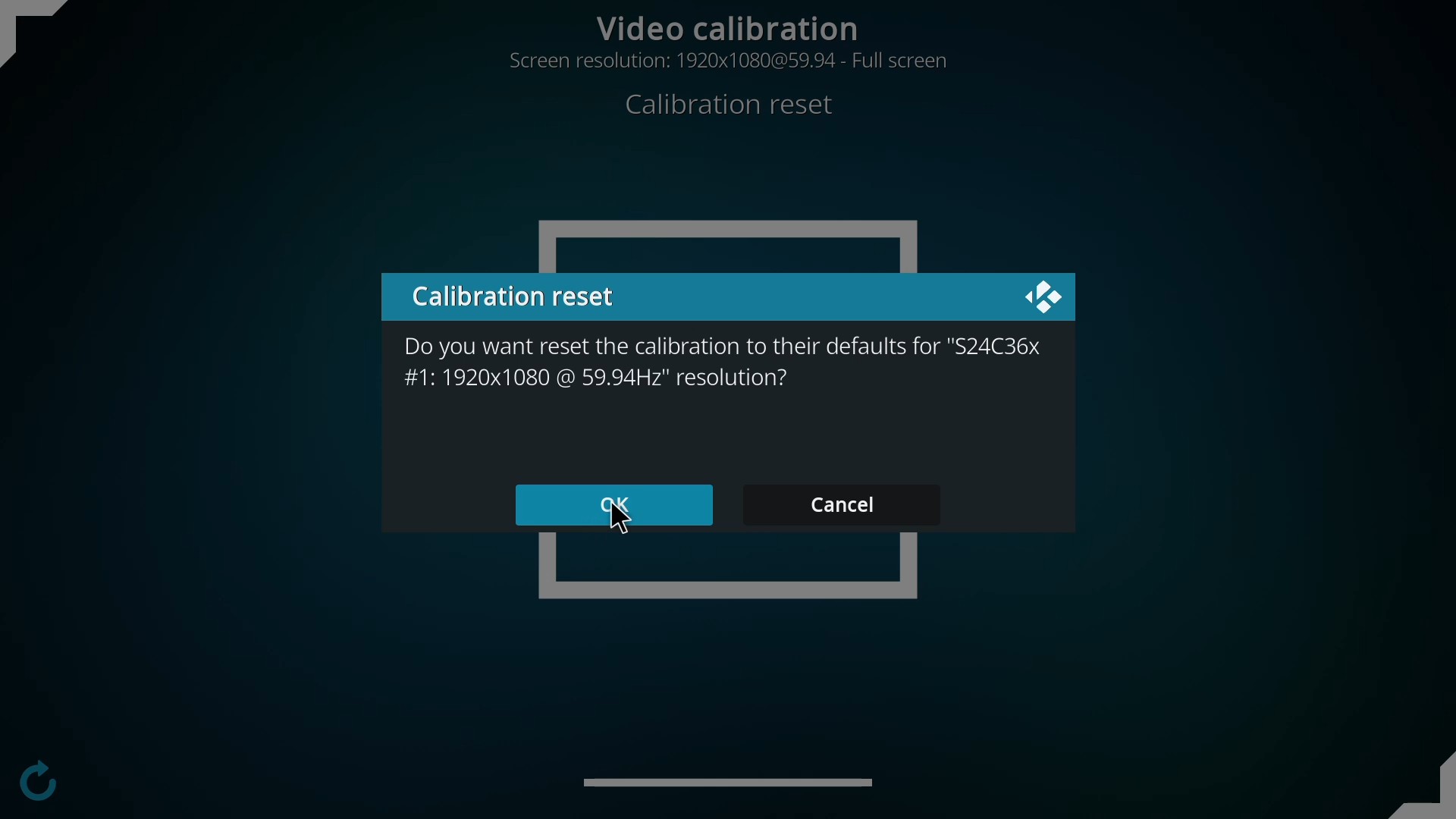 The width and height of the screenshot is (1456, 819). What do you see at coordinates (1043, 298) in the screenshot?
I see `close` at bounding box center [1043, 298].